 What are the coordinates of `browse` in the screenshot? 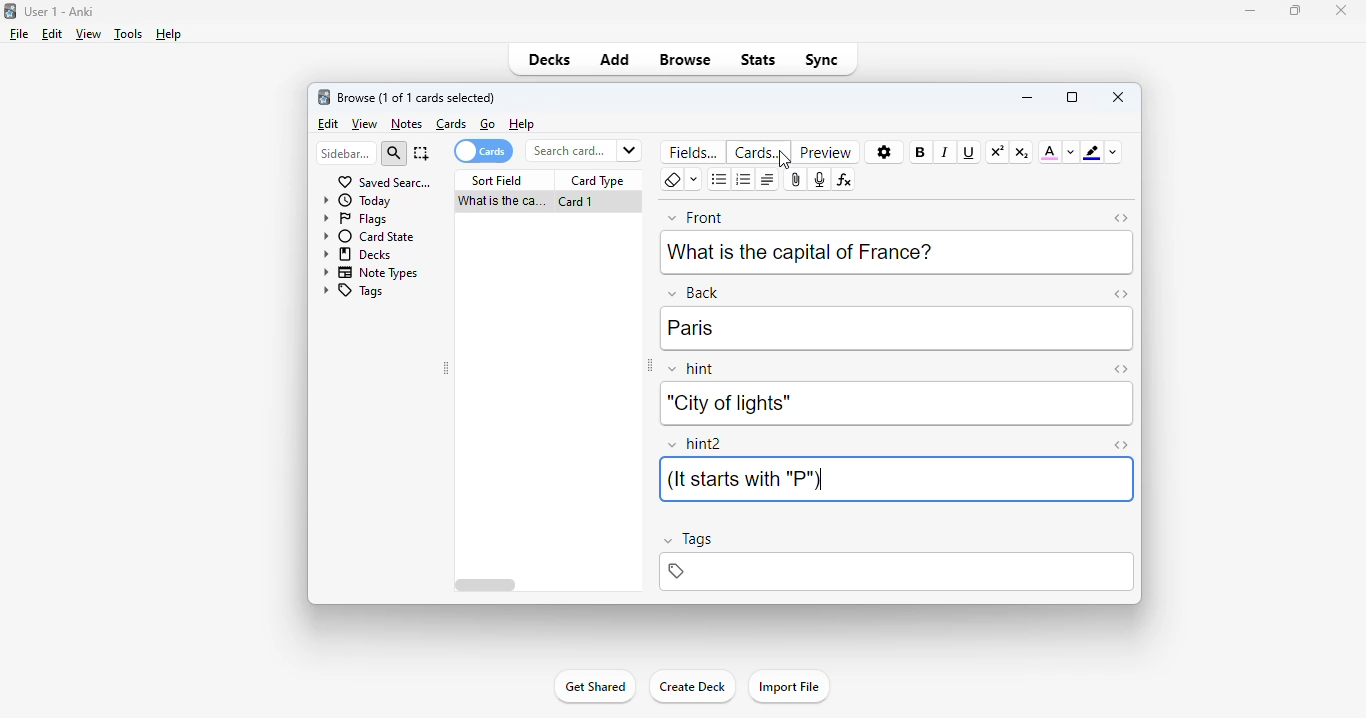 It's located at (685, 59).